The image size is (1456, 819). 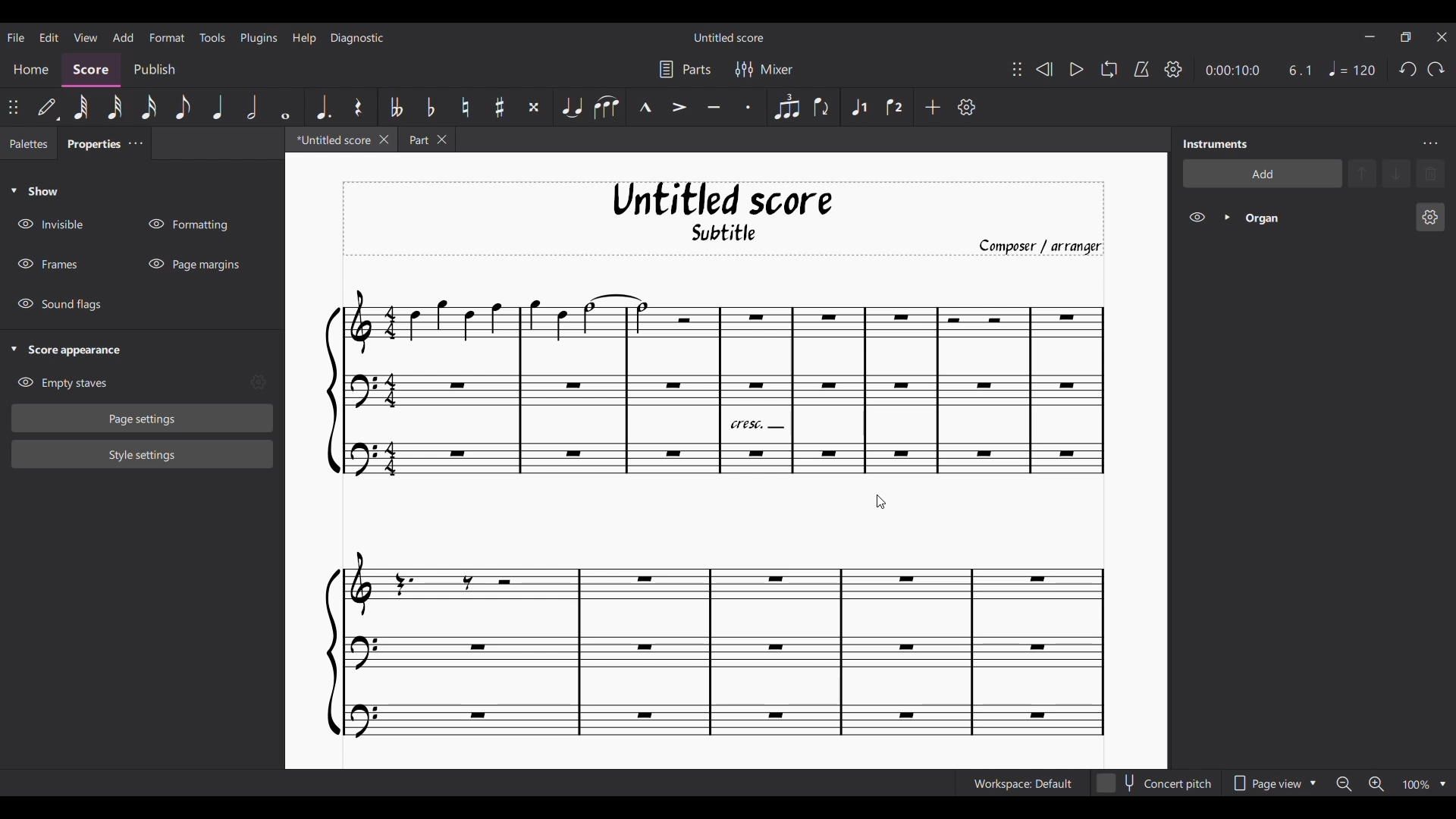 I want to click on Flip direction, so click(x=822, y=107).